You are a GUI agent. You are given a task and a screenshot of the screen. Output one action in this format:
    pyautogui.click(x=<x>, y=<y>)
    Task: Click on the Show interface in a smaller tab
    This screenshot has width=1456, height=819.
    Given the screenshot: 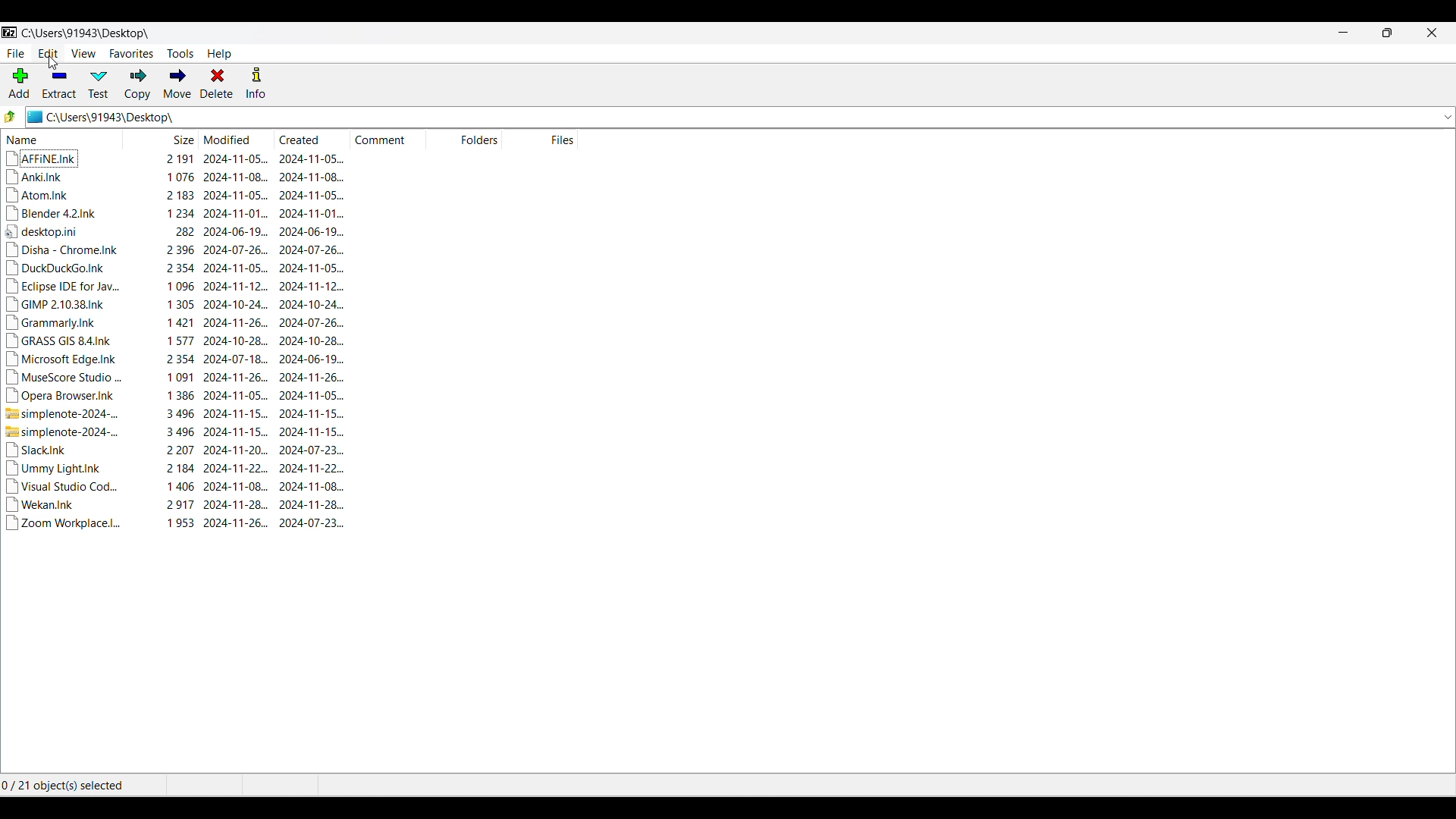 What is the action you would take?
    pyautogui.click(x=1387, y=33)
    